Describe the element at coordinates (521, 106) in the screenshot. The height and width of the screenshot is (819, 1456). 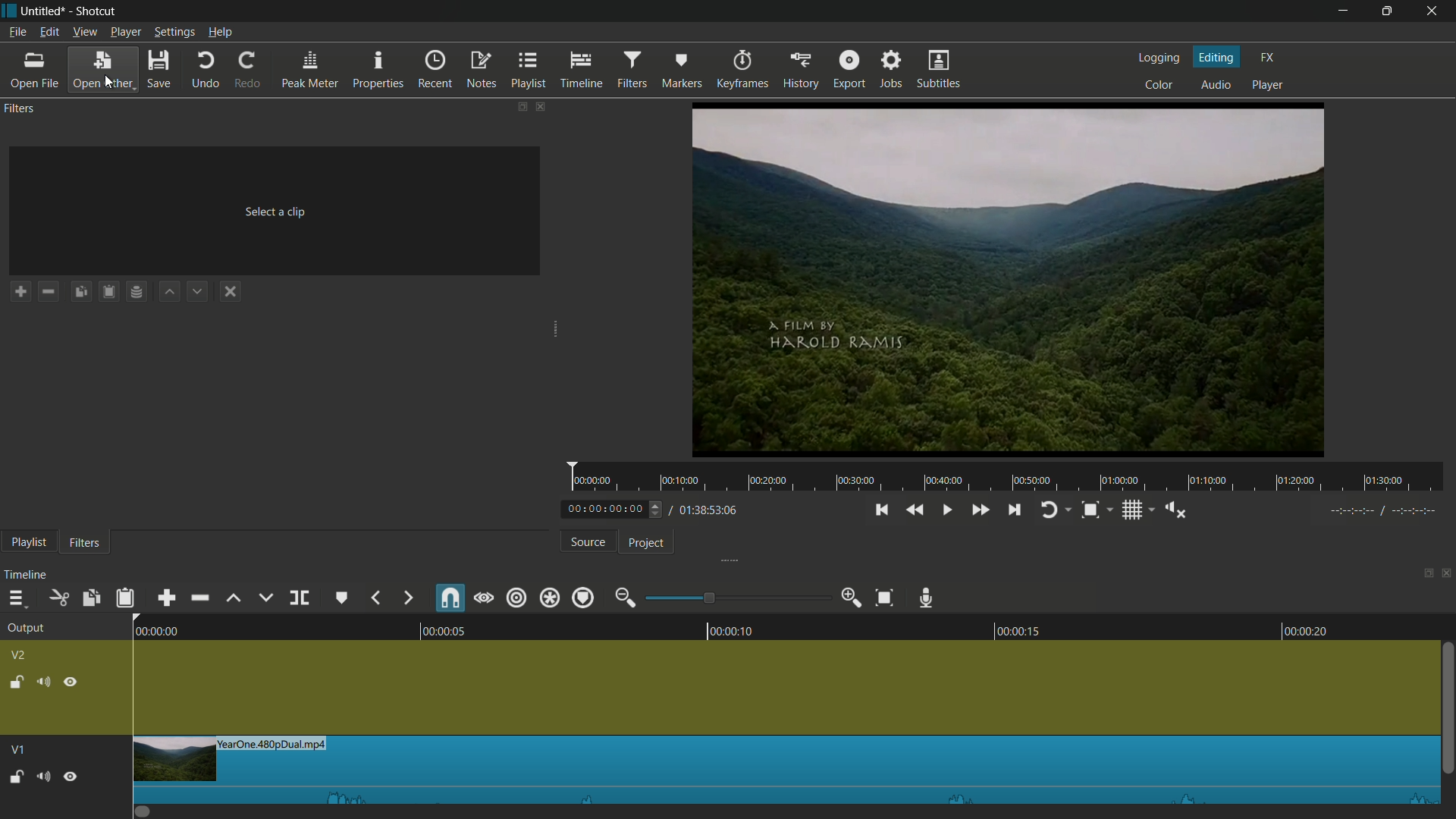
I see `change layout` at that location.